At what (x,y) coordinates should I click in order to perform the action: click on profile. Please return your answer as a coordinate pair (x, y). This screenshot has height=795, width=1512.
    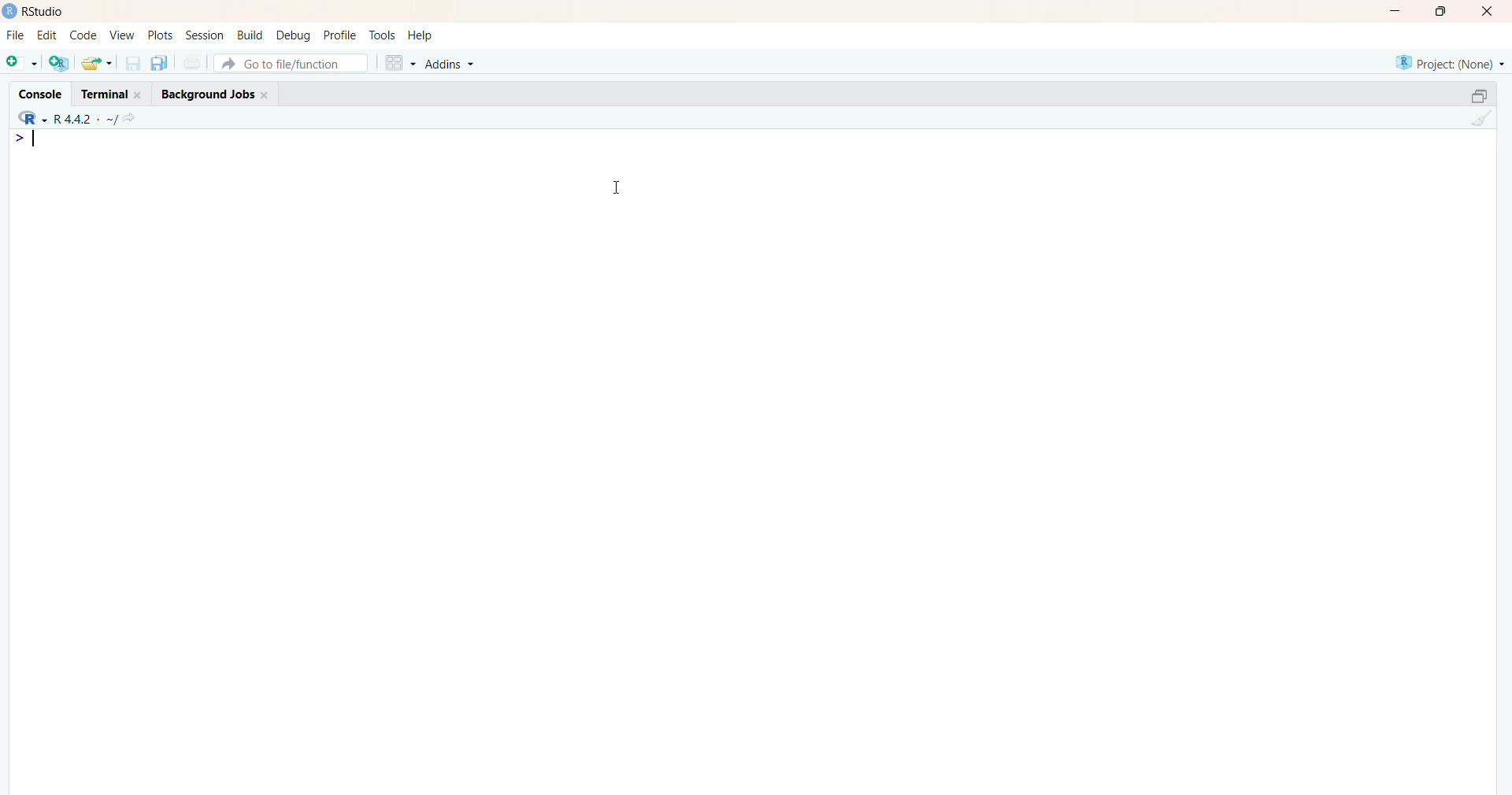
    Looking at the image, I should click on (341, 35).